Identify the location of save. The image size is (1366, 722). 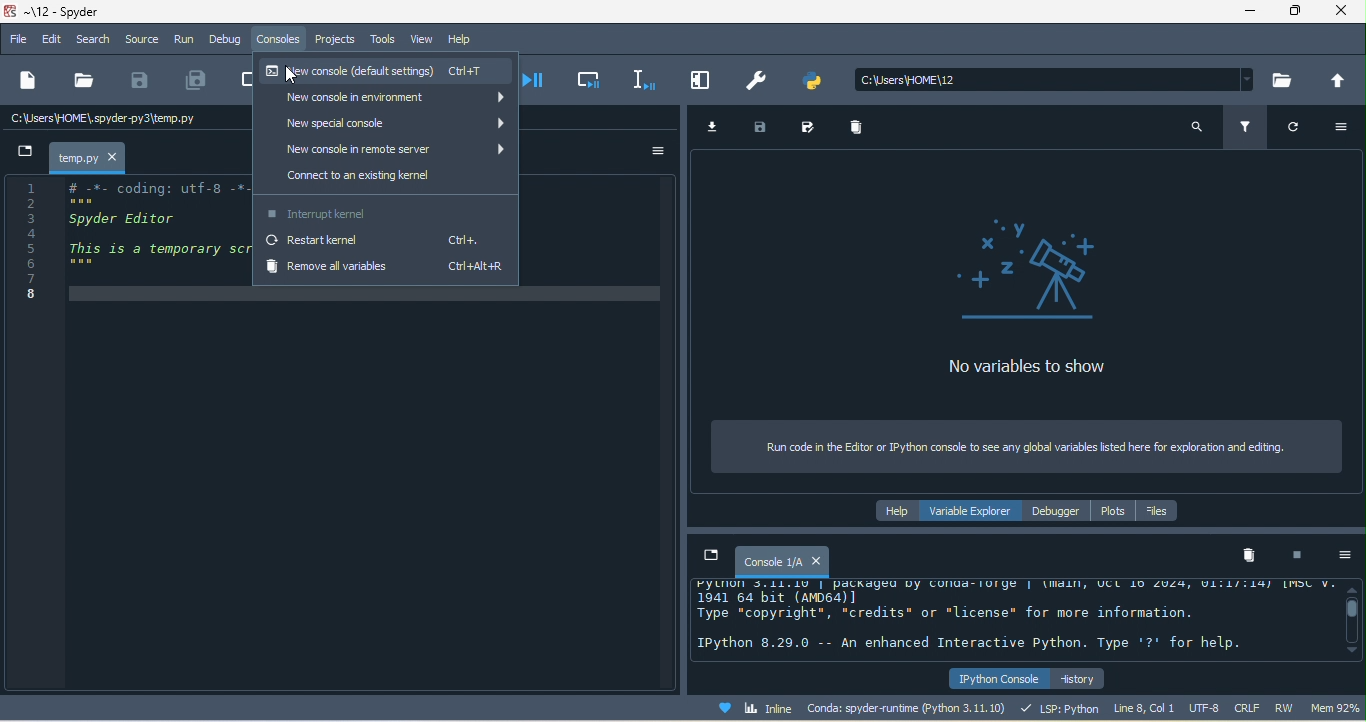
(142, 84).